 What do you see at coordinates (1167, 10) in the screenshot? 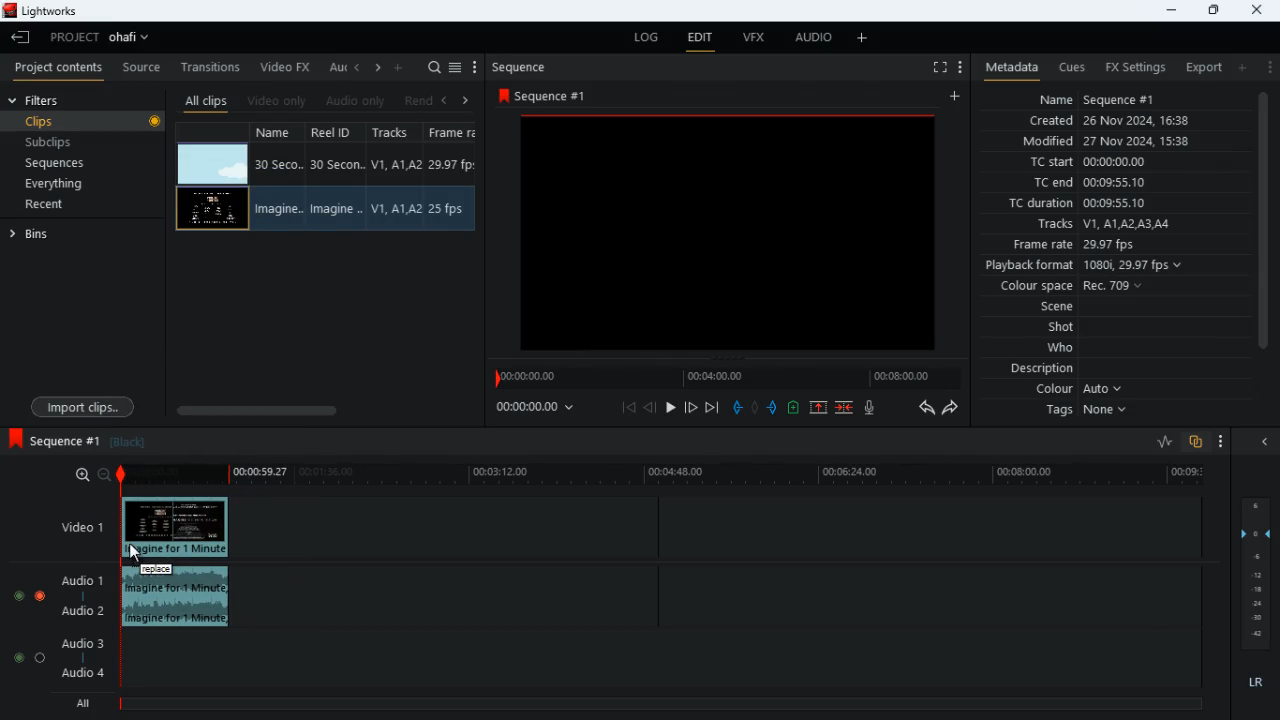
I see `minimize` at bounding box center [1167, 10].